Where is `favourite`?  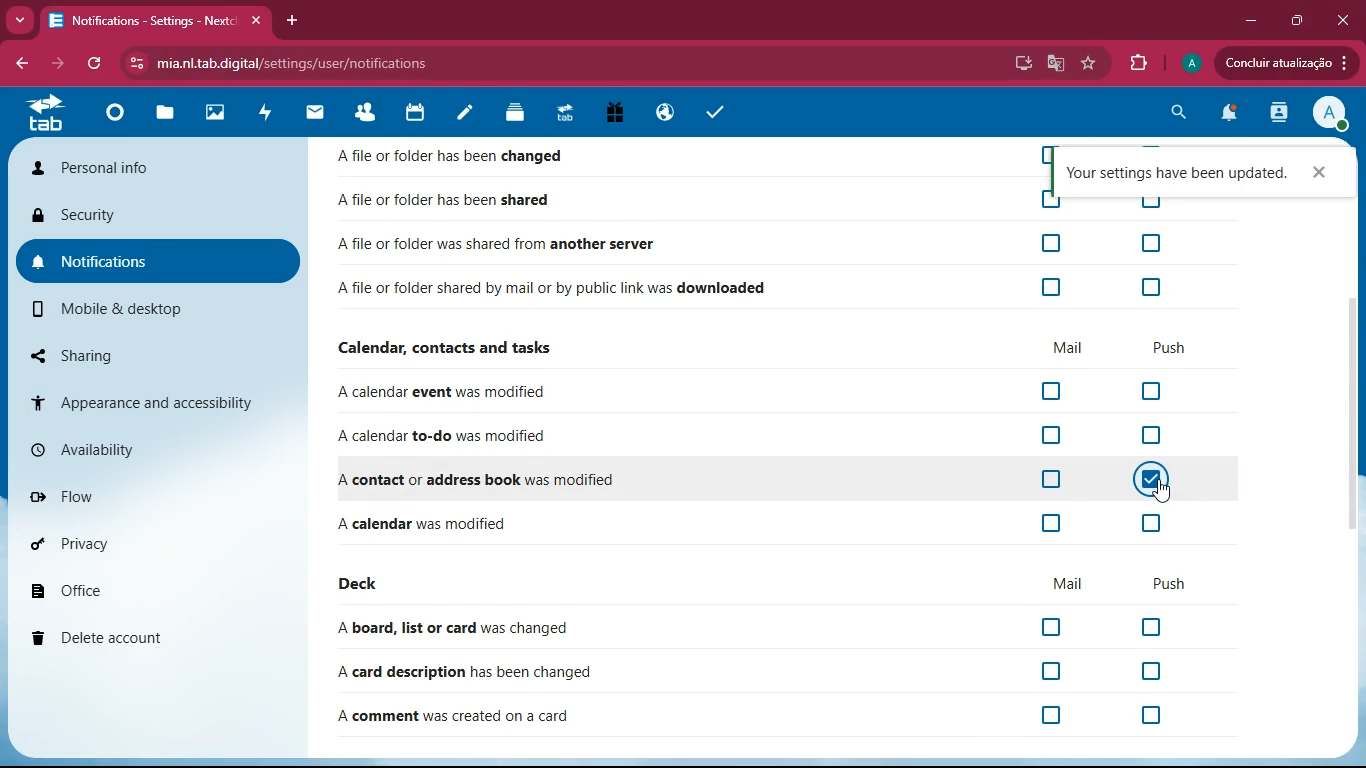 favourite is located at coordinates (1088, 63).